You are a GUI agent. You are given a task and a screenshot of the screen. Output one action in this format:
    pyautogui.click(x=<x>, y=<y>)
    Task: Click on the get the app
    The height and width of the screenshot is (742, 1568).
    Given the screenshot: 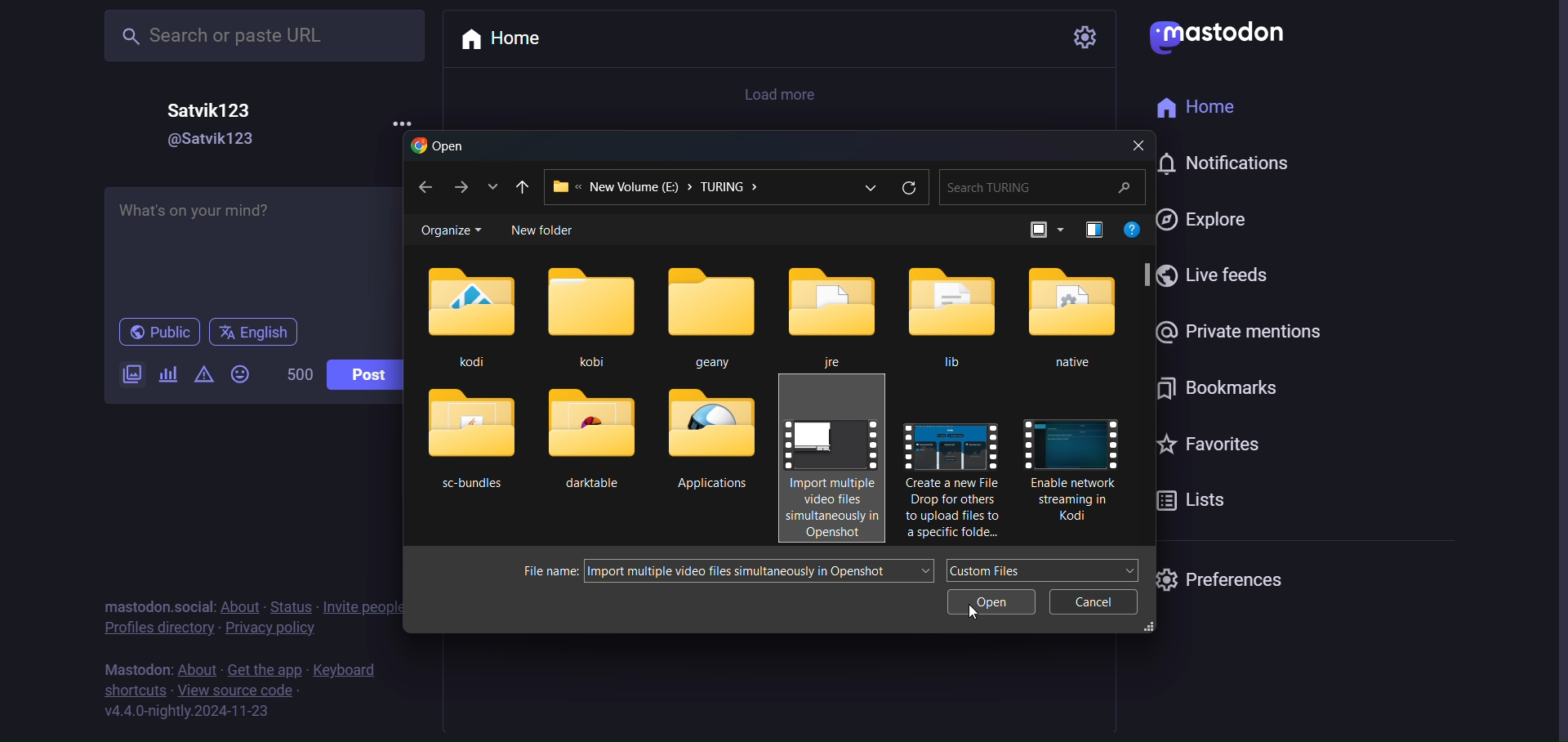 What is the action you would take?
    pyautogui.click(x=265, y=670)
    